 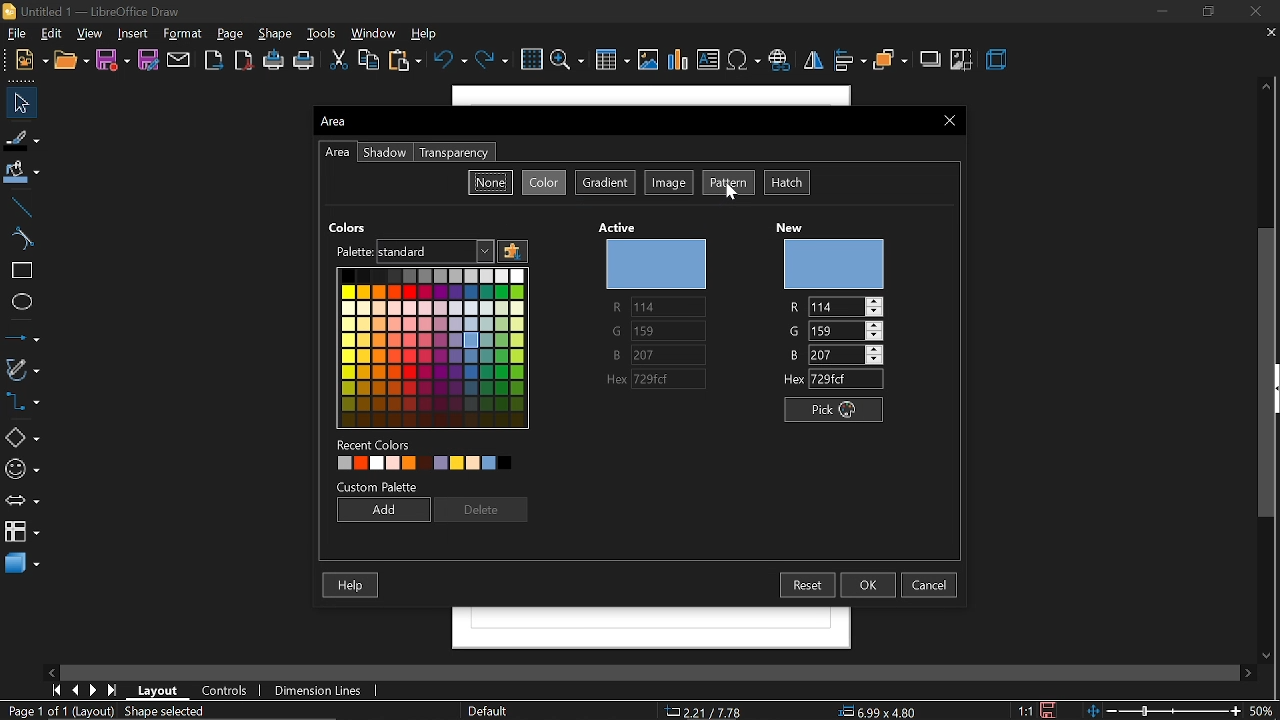 What do you see at coordinates (374, 33) in the screenshot?
I see `window` at bounding box center [374, 33].